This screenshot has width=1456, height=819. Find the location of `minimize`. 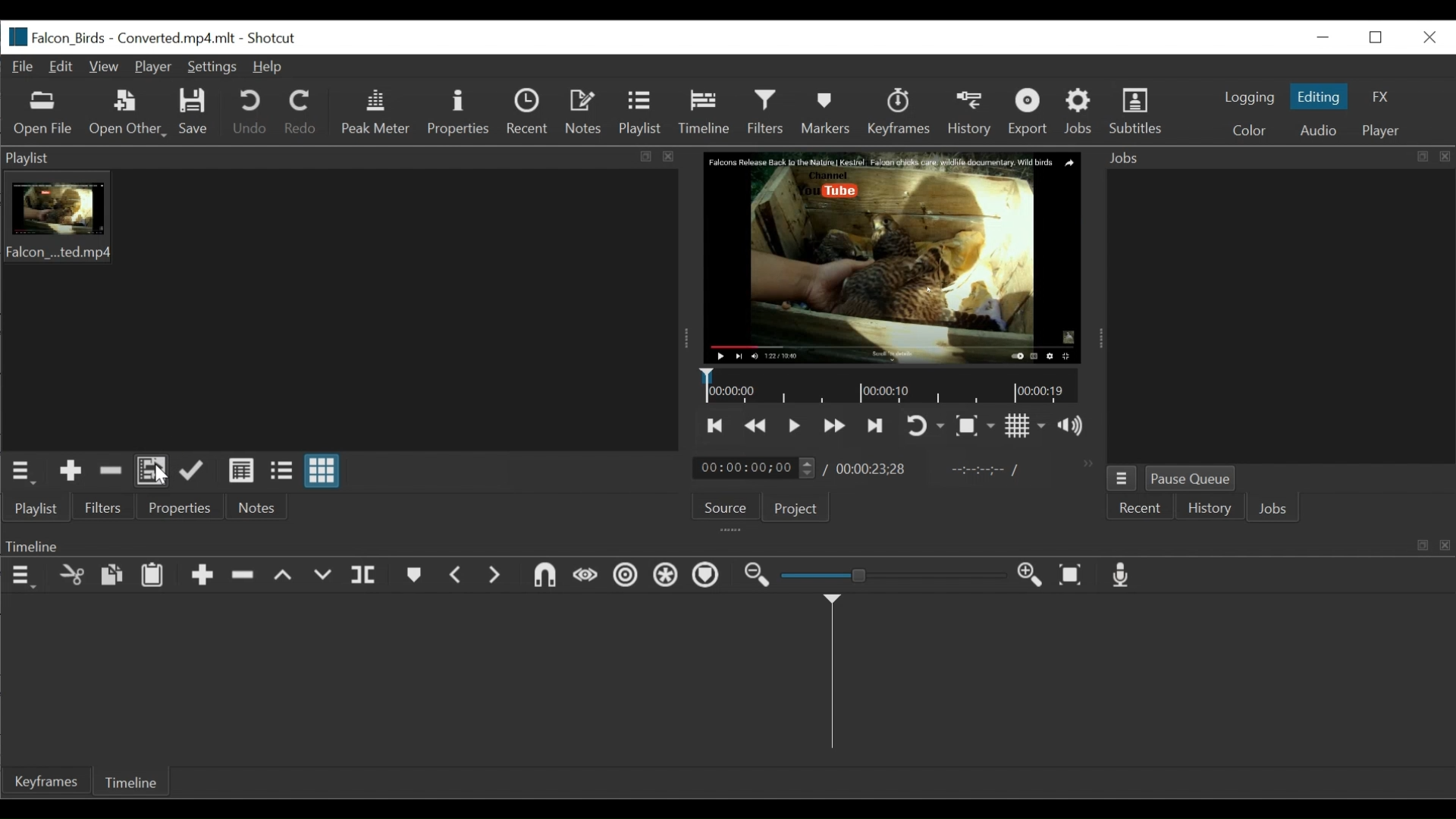

minimize is located at coordinates (1322, 37).